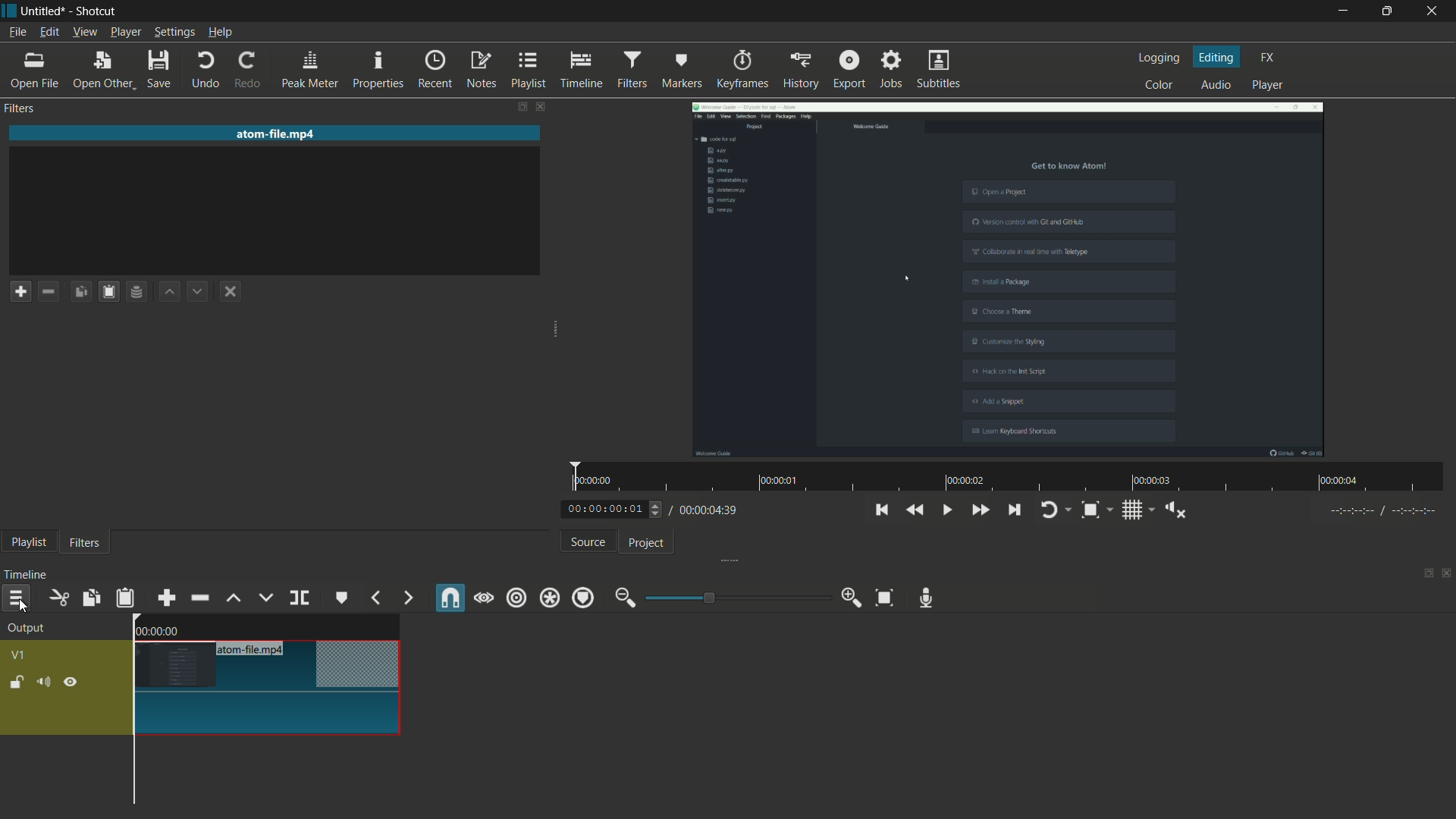 The width and height of the screenshot is (1456, 819). Describe the element at coordinates (173, 33) in the screenshot. I see `settings menu` at that location.